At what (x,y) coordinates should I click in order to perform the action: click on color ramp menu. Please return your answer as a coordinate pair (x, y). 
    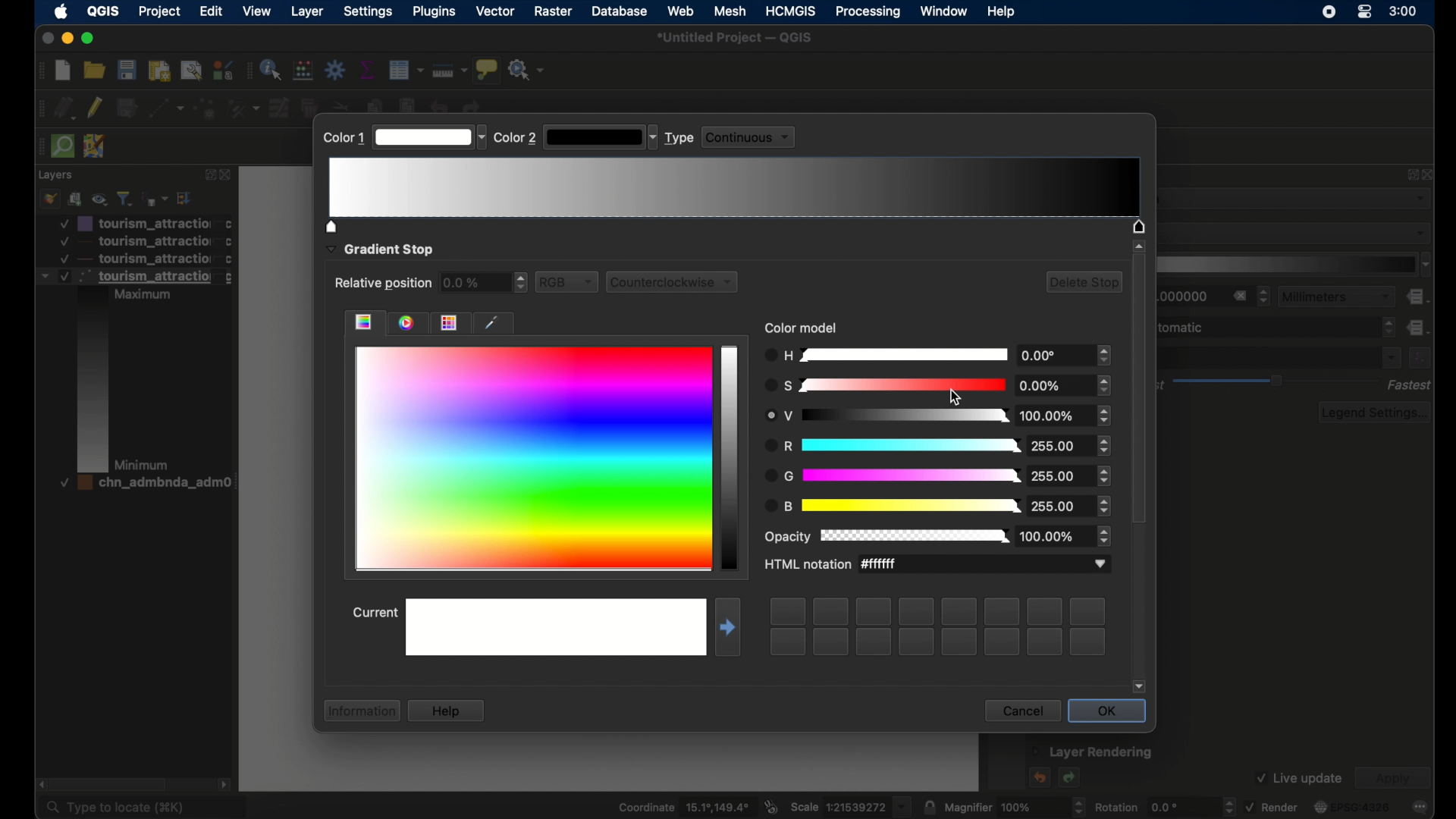
    Looking at the image, I should click on (1296, 265).